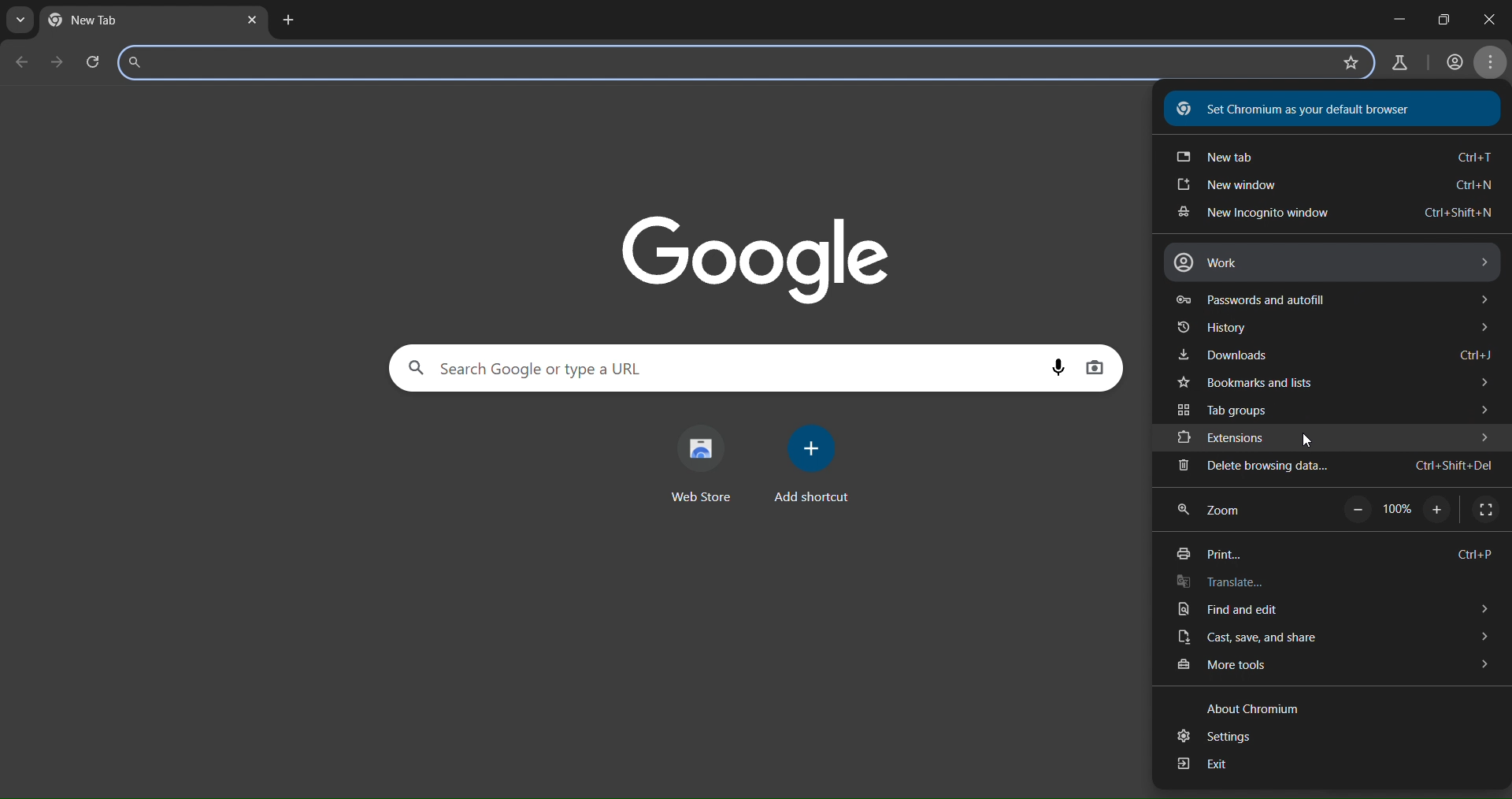 This screenshot has height=799, width=1512. What do you see at coordinates (1338, 385) in the screenshot?
I see `bookmarks and tabs` at bounding box center [1338, 385].